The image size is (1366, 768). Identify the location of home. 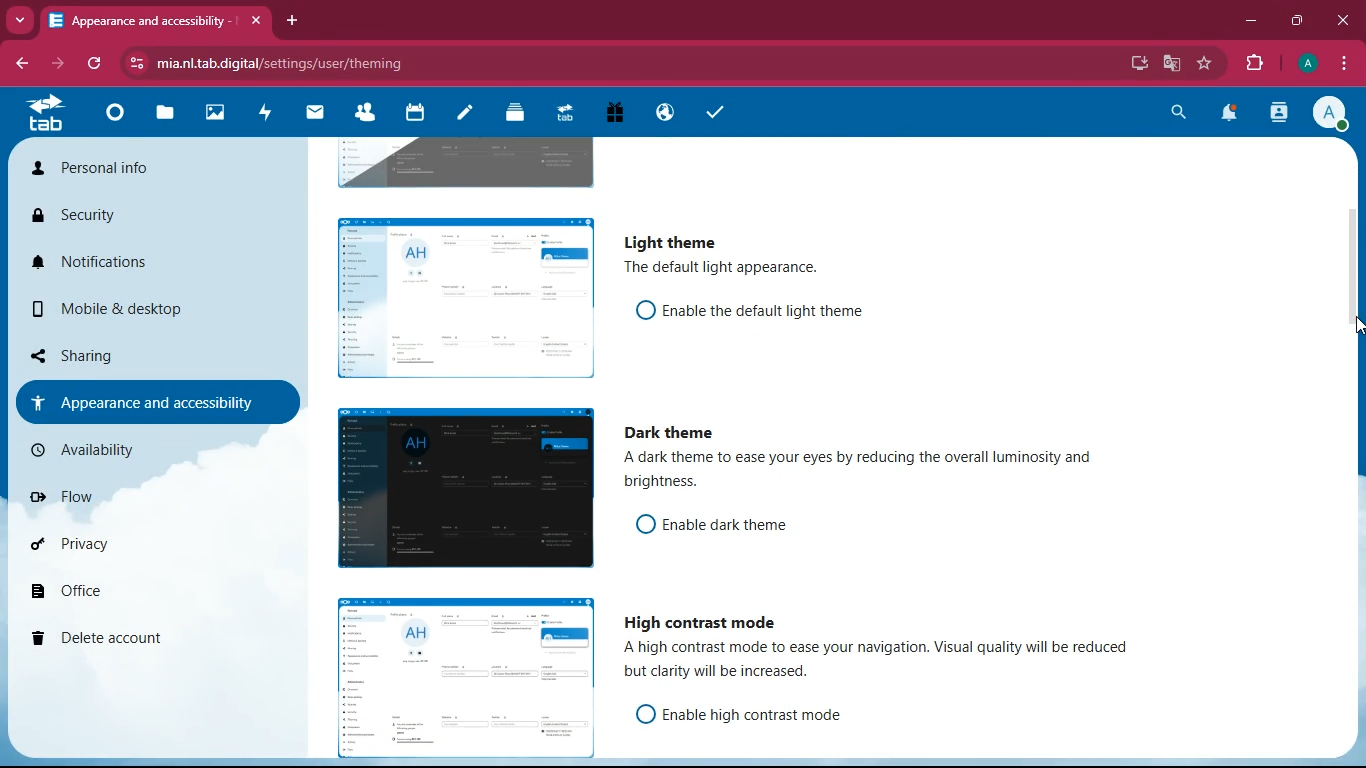
(110, 119).